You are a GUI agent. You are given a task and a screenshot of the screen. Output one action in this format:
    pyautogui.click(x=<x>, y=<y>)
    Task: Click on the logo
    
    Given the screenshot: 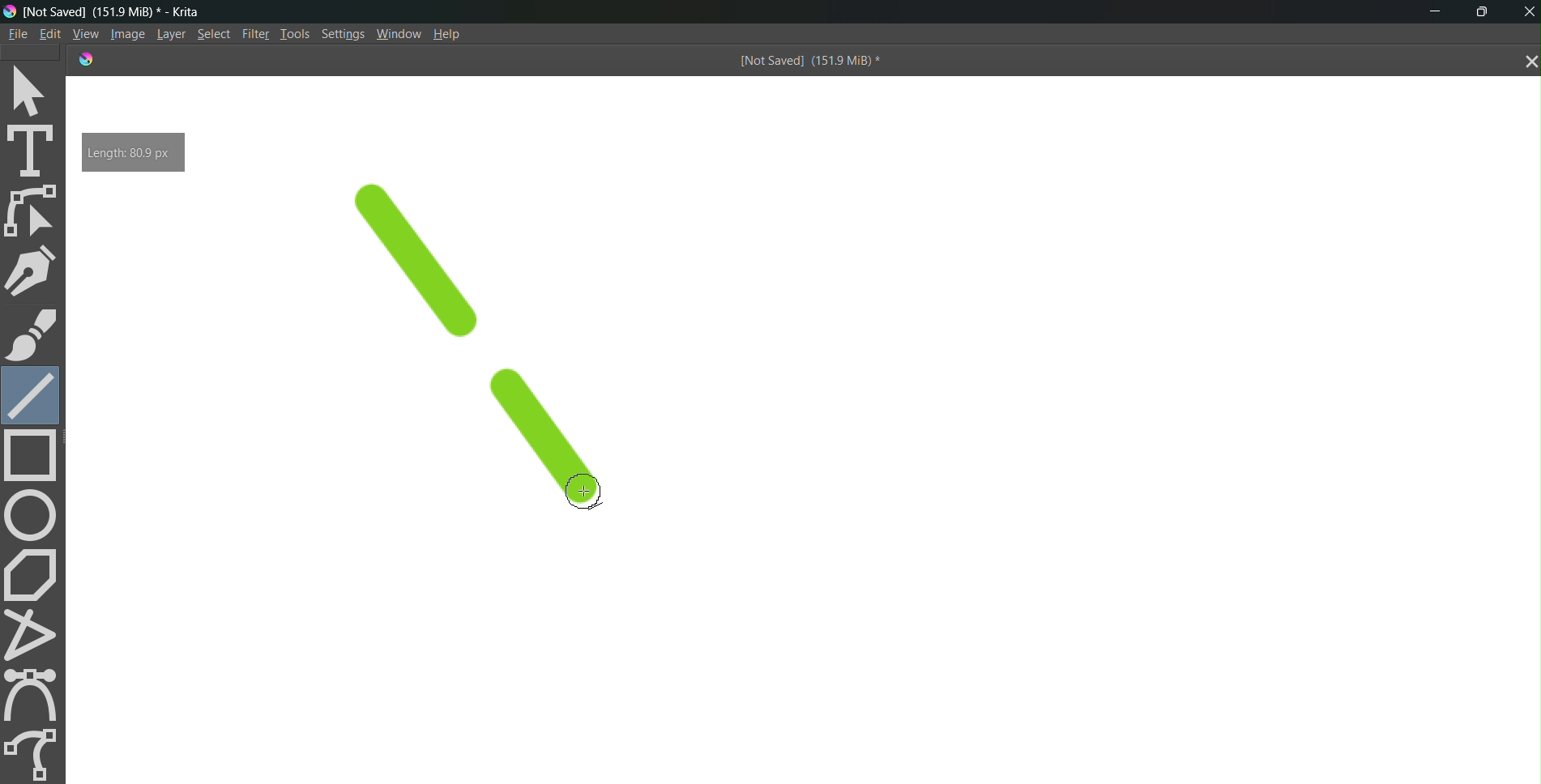 What is the action you would take?
    pyautogui.click(x=83, y=58)
    